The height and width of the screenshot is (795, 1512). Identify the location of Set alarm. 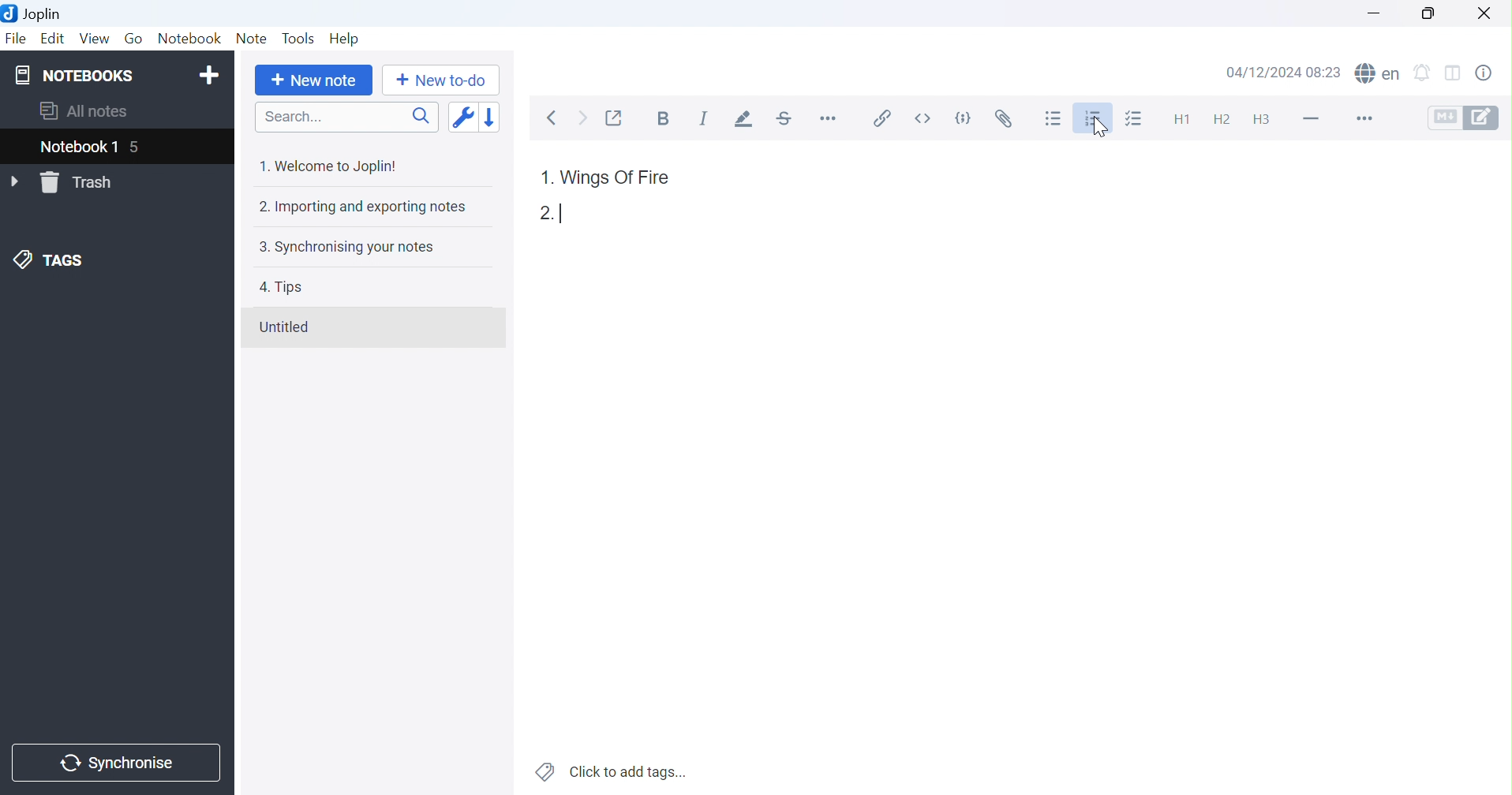
(1428, 70).